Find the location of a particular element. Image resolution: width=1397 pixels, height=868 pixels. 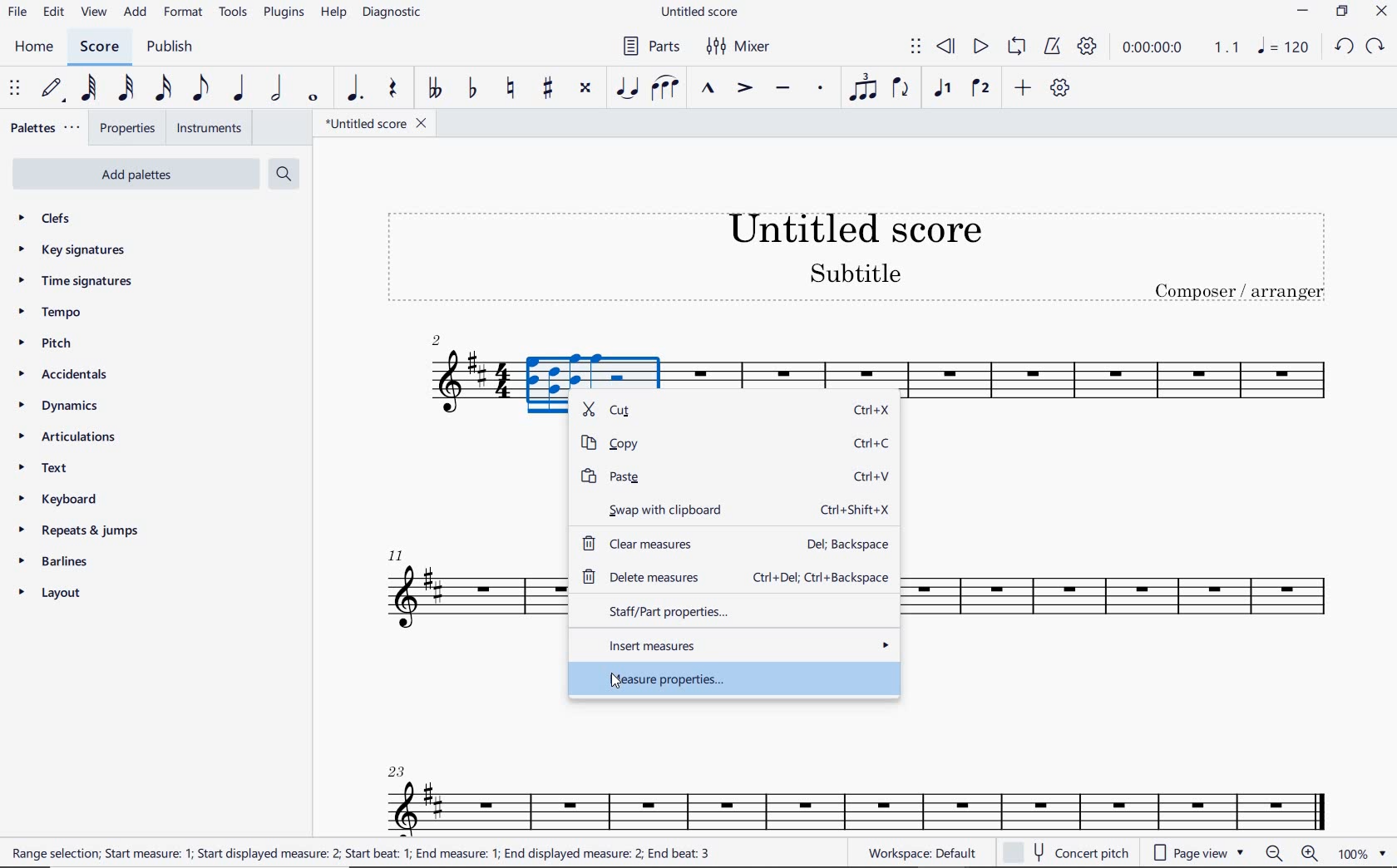

TOGGLE NATURAL is located at coordinates (513, 89).